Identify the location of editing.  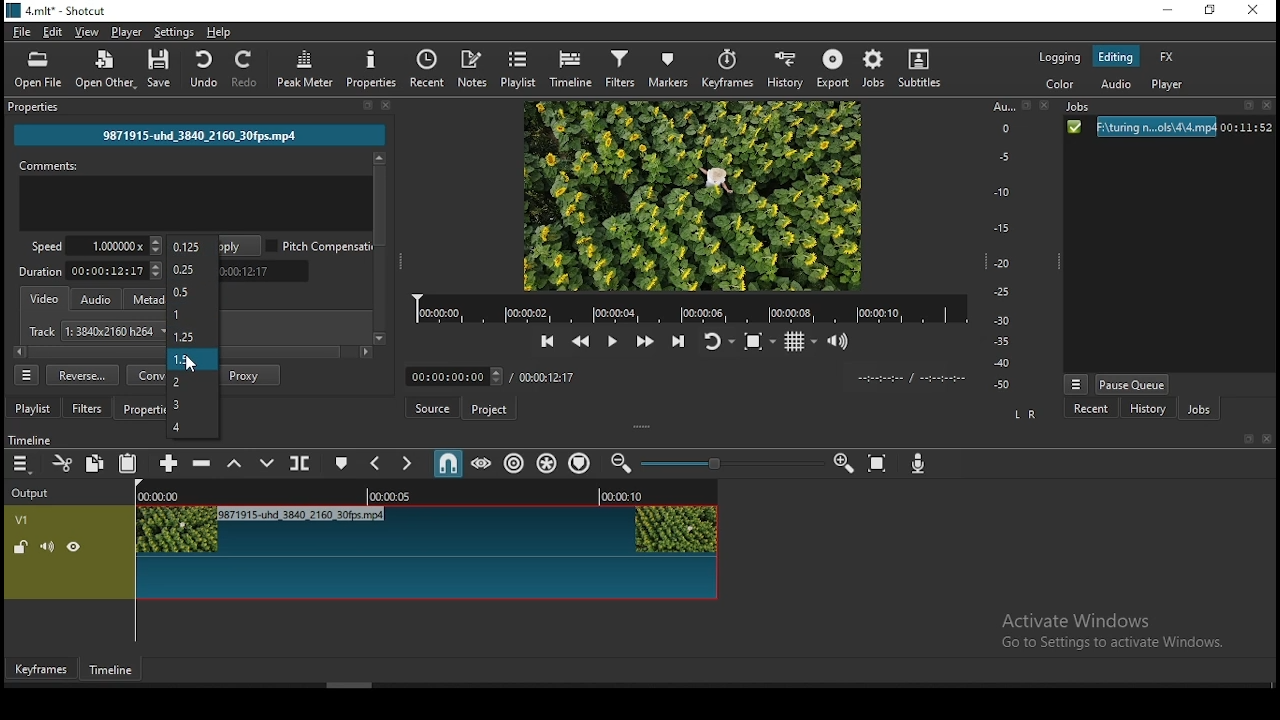
(1116, 55).